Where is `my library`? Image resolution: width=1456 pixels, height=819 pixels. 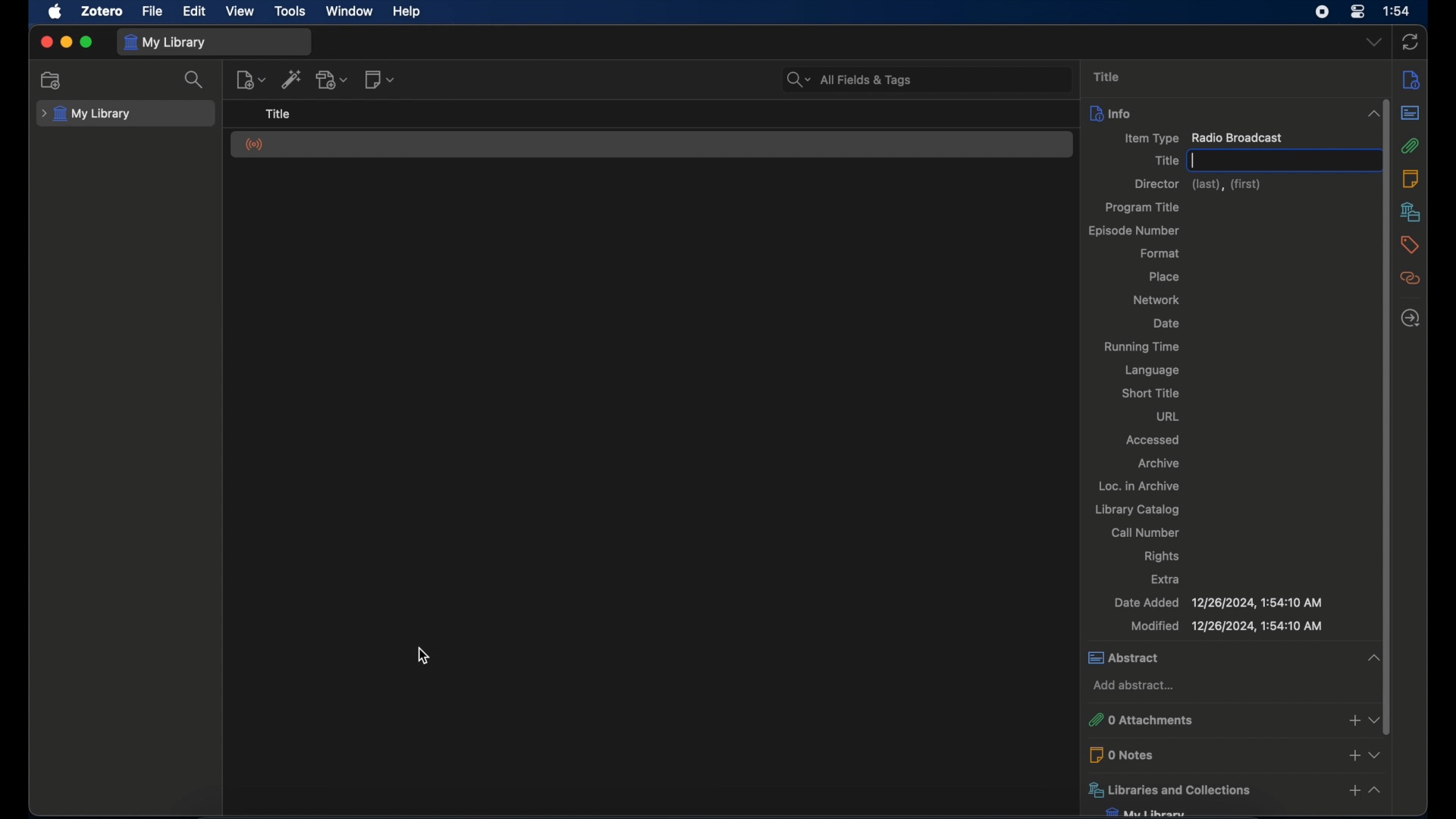 my library is located at coordinates (88, 114).